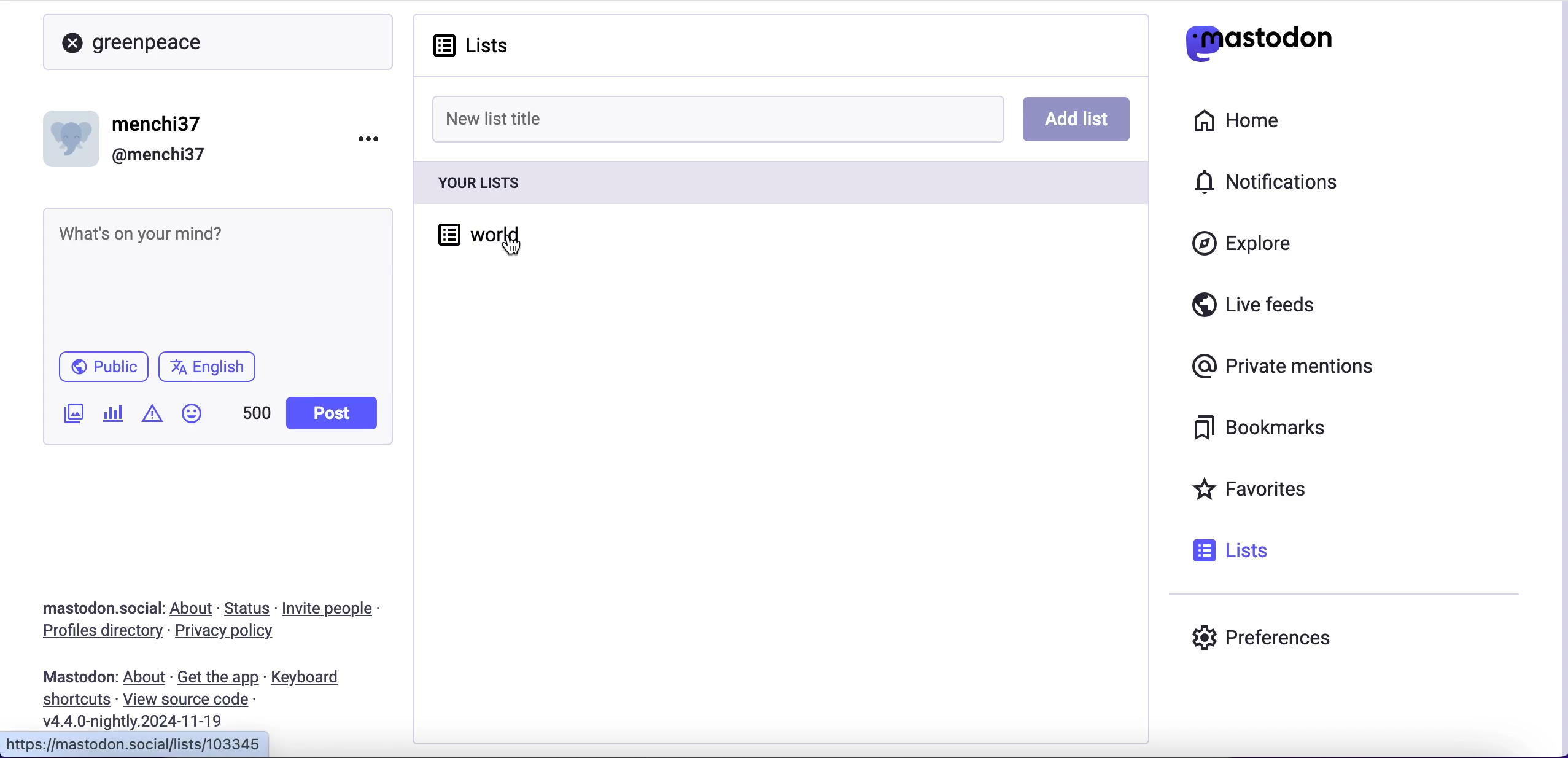 Image resolution: width=1568 pixels, height=758 pixels. What do you see at coordinates (249, 608) in the screenshot?
I see `status` at bounding box center [249, 608].